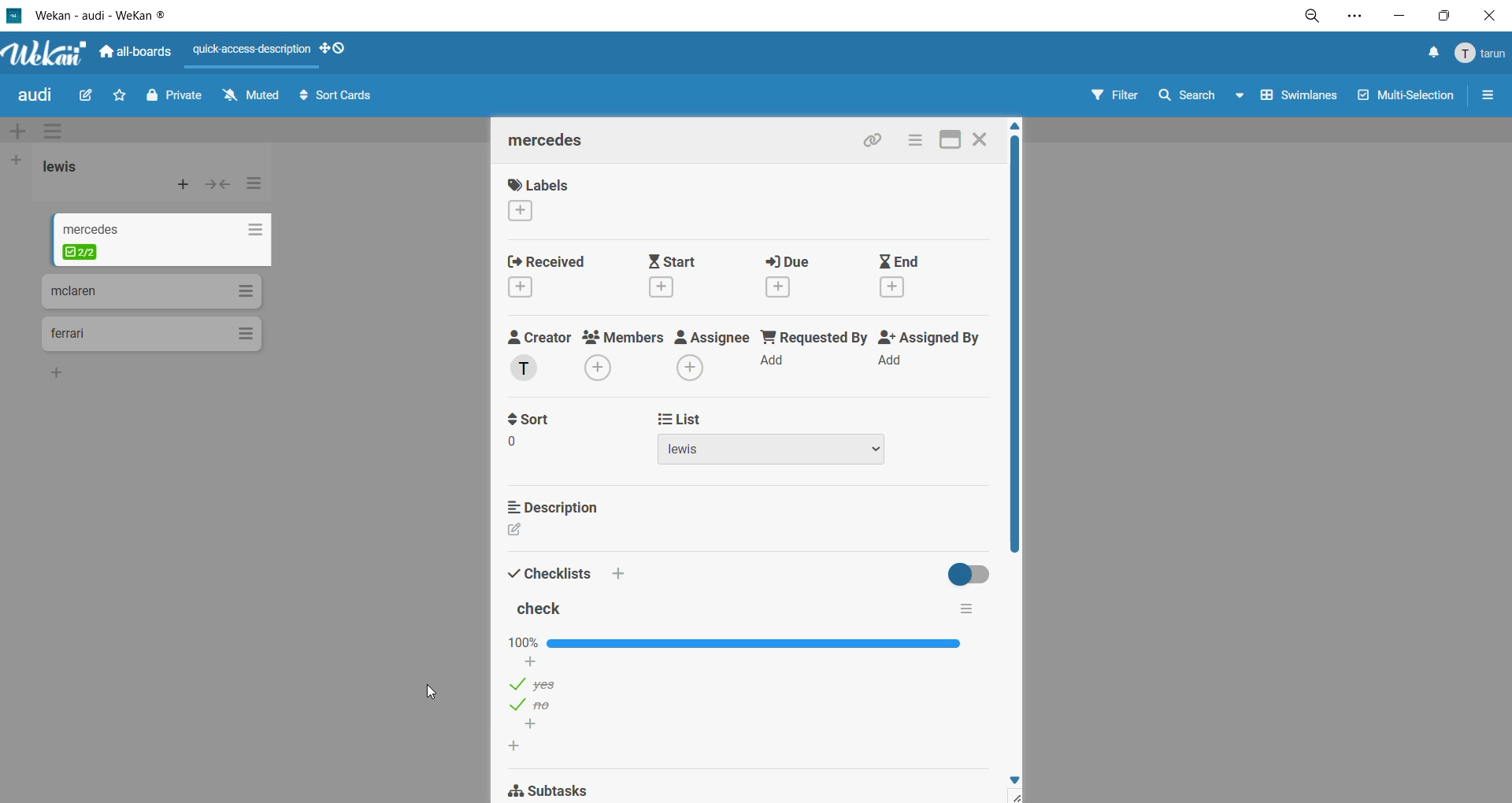 Image resolution: width=1512 pixels, height=803 pixels. What do you see at coordinates (260, 185) in the screenshot?
I see `list actions` at bounding box center [260, 185].